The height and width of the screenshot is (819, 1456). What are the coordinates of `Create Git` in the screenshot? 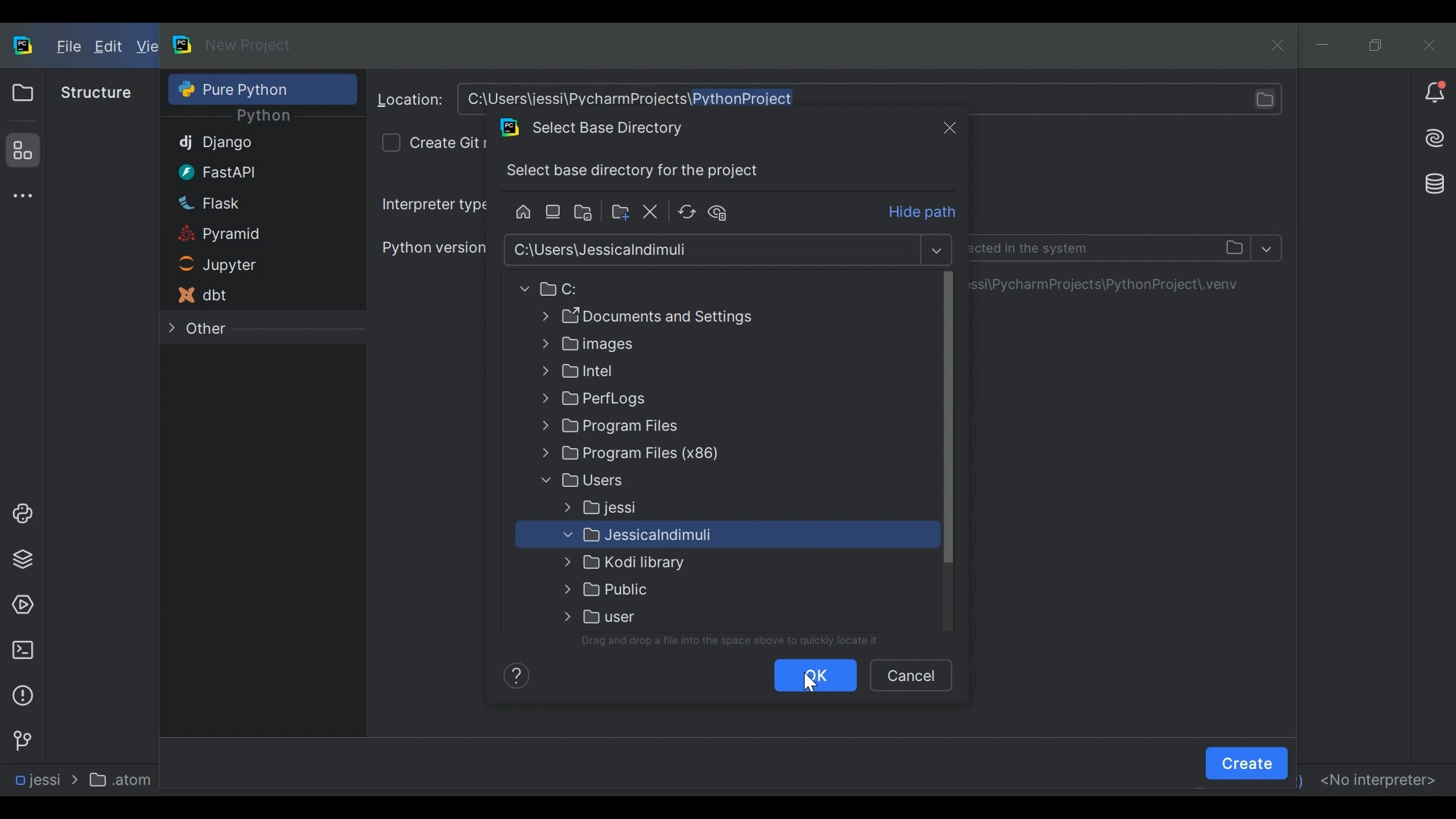 It's located at (447, 141).